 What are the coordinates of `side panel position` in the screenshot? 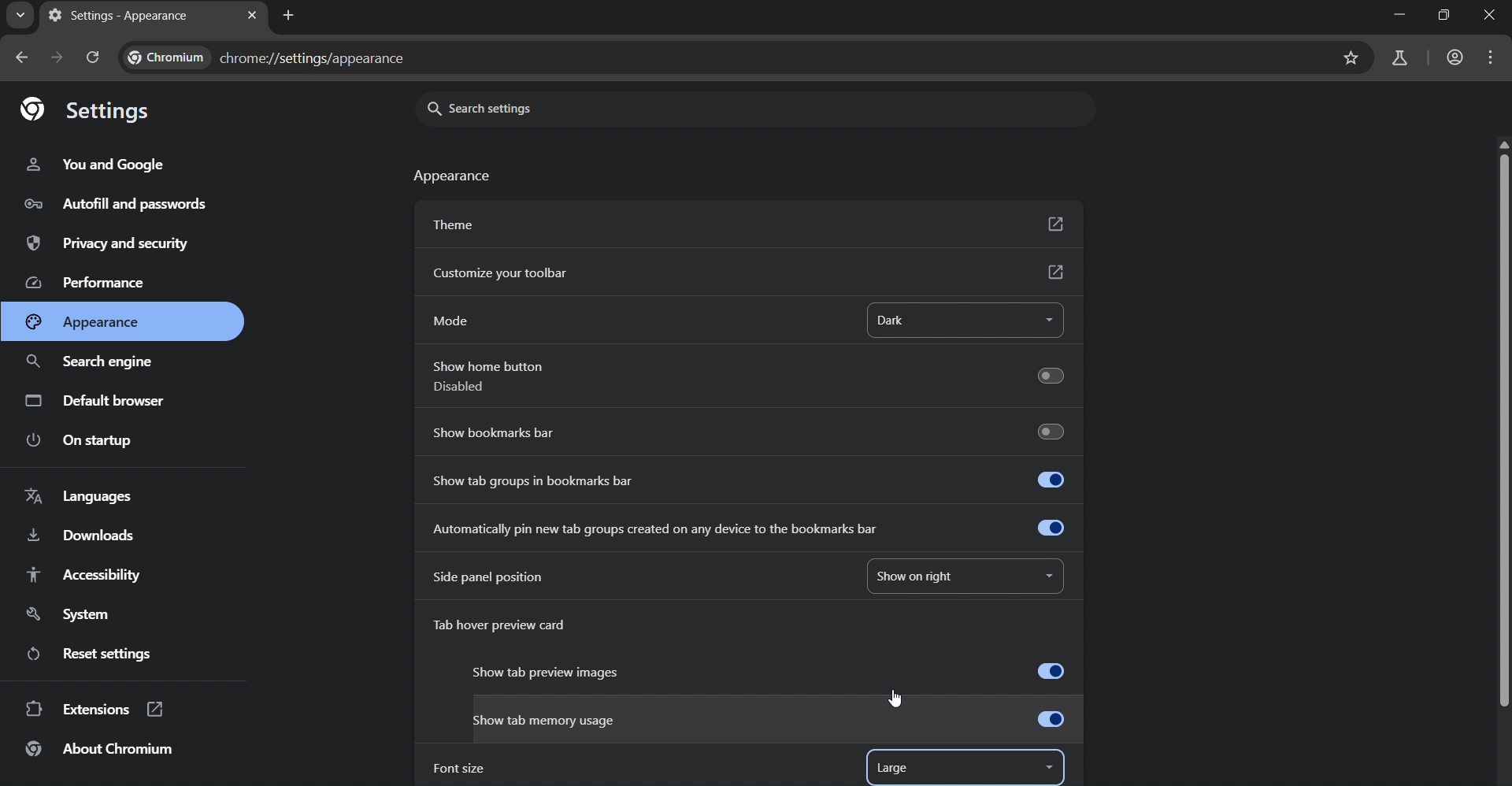 It's located at (488, 577).